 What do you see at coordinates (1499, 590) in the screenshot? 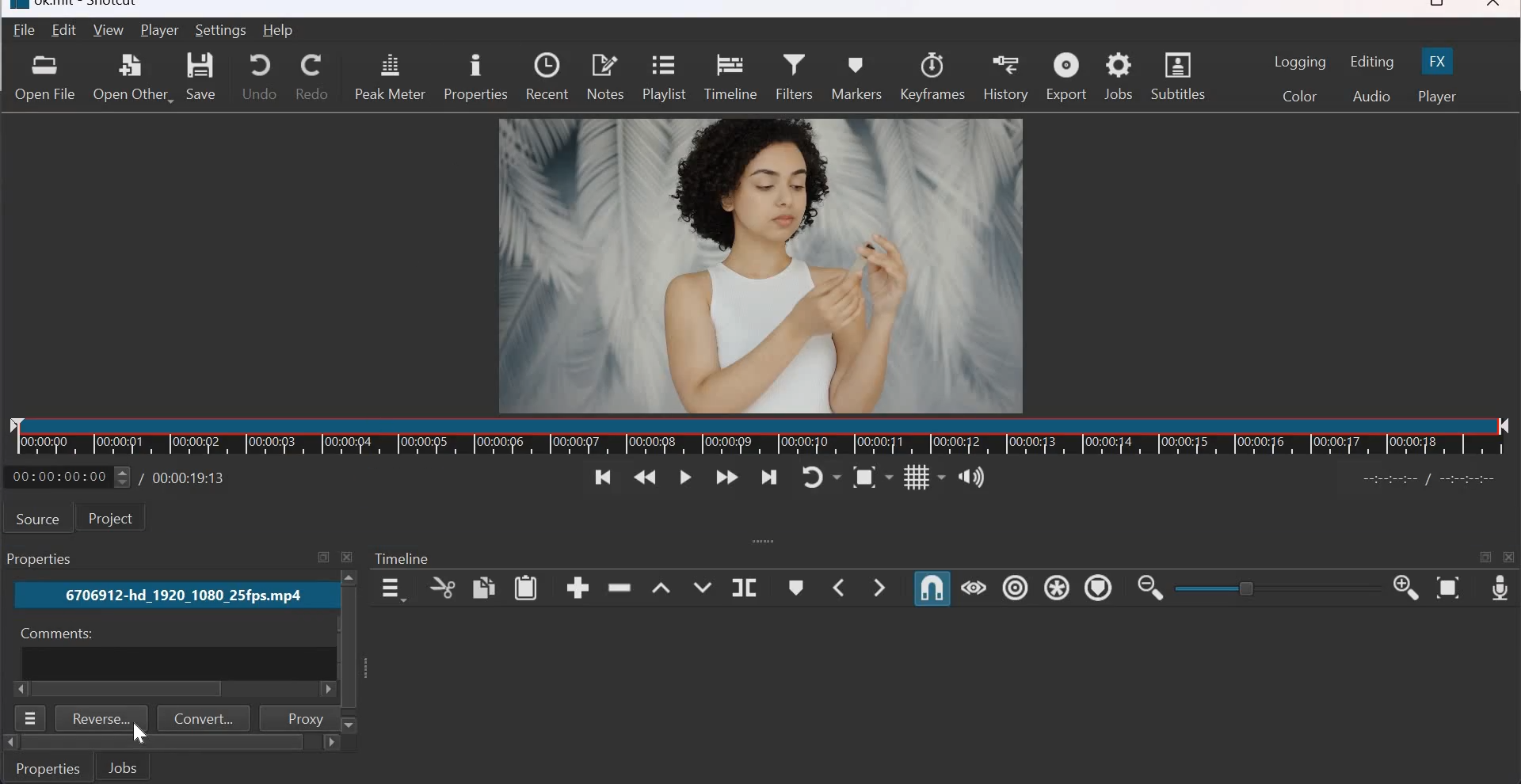
I see `Record Audio` at bounding box center [1499, 590].